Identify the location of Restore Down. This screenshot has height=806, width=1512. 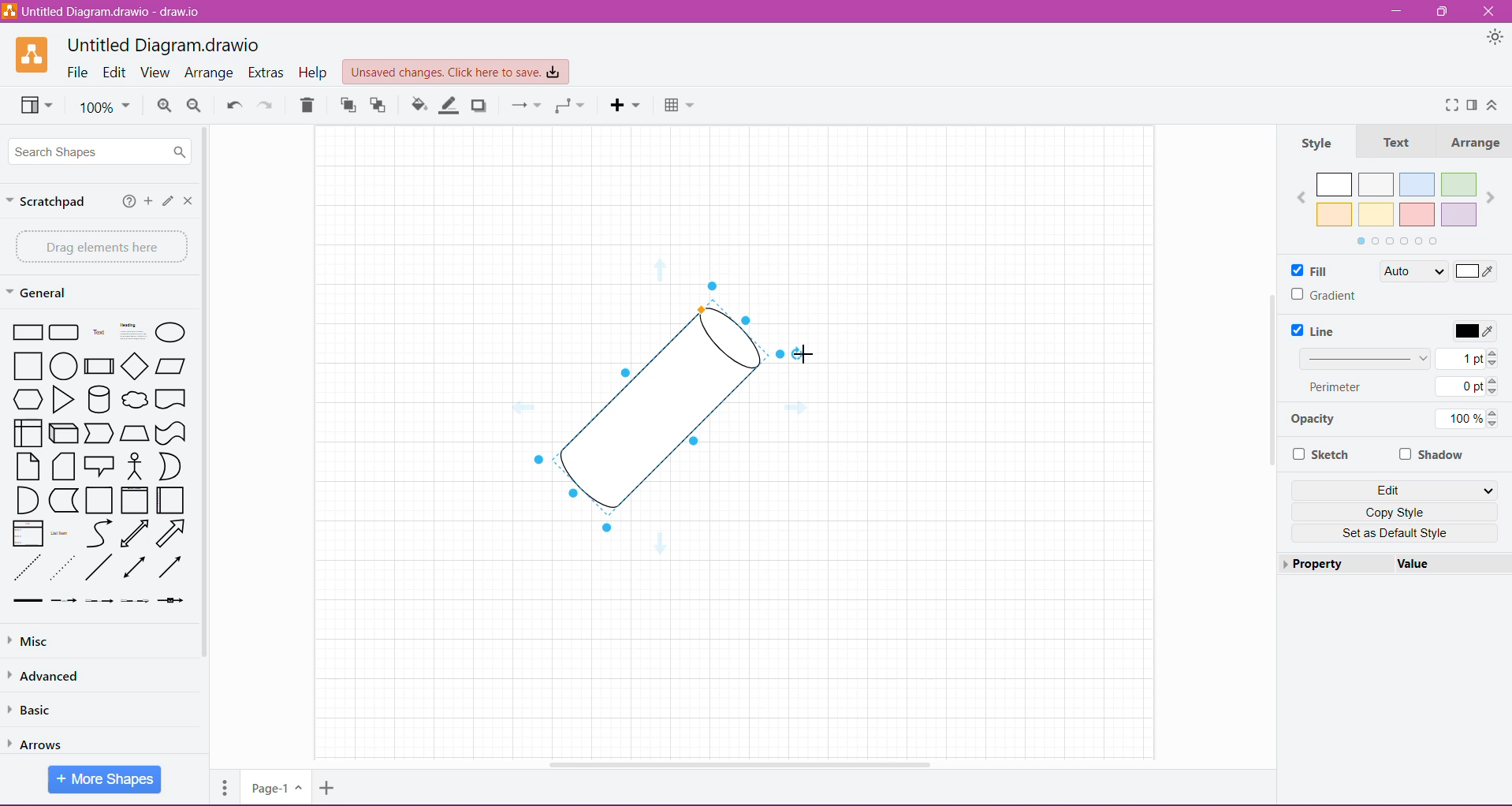
(1443, 12).